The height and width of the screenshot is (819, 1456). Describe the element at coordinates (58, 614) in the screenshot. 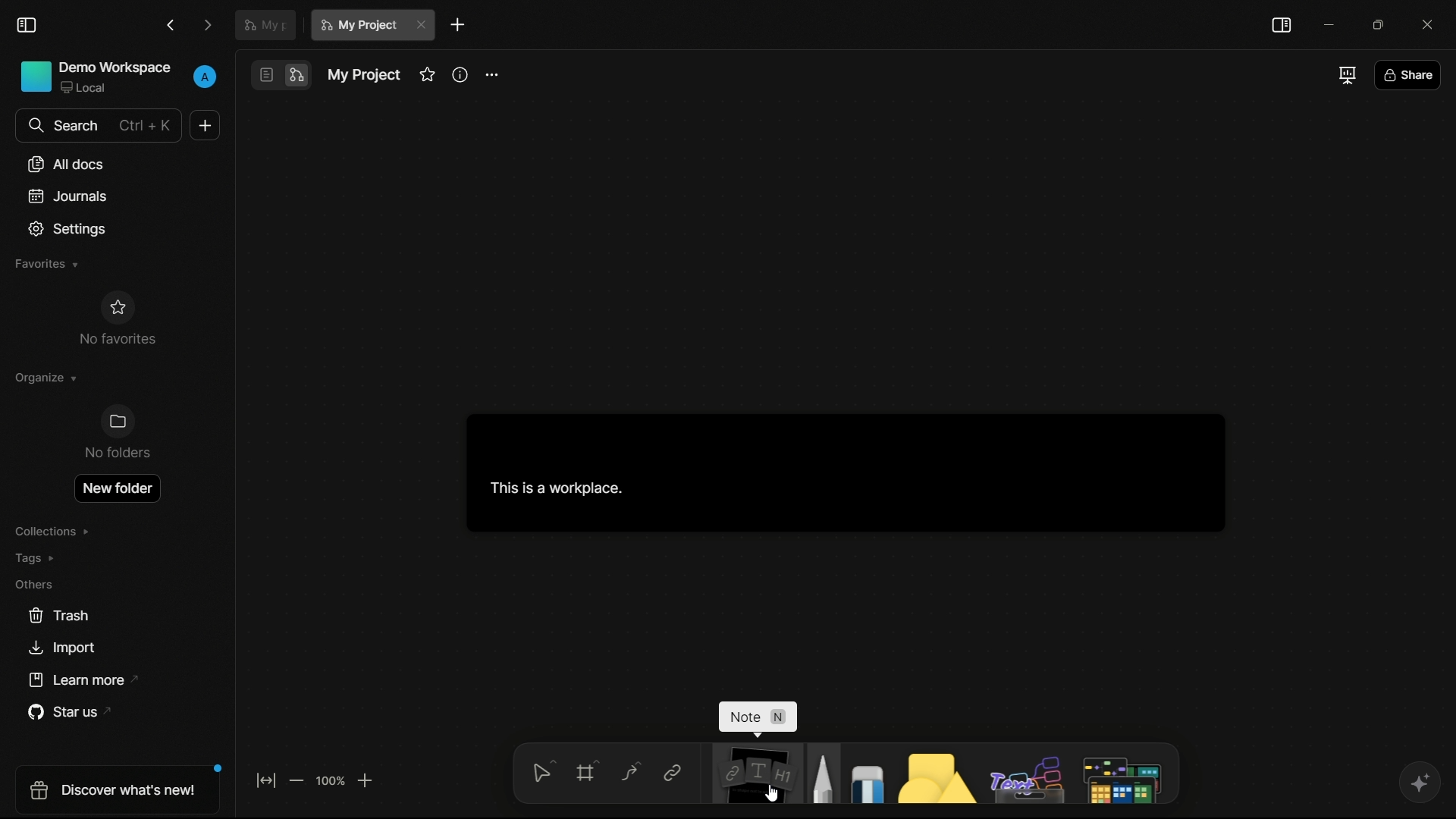

I see `trash` at that location.